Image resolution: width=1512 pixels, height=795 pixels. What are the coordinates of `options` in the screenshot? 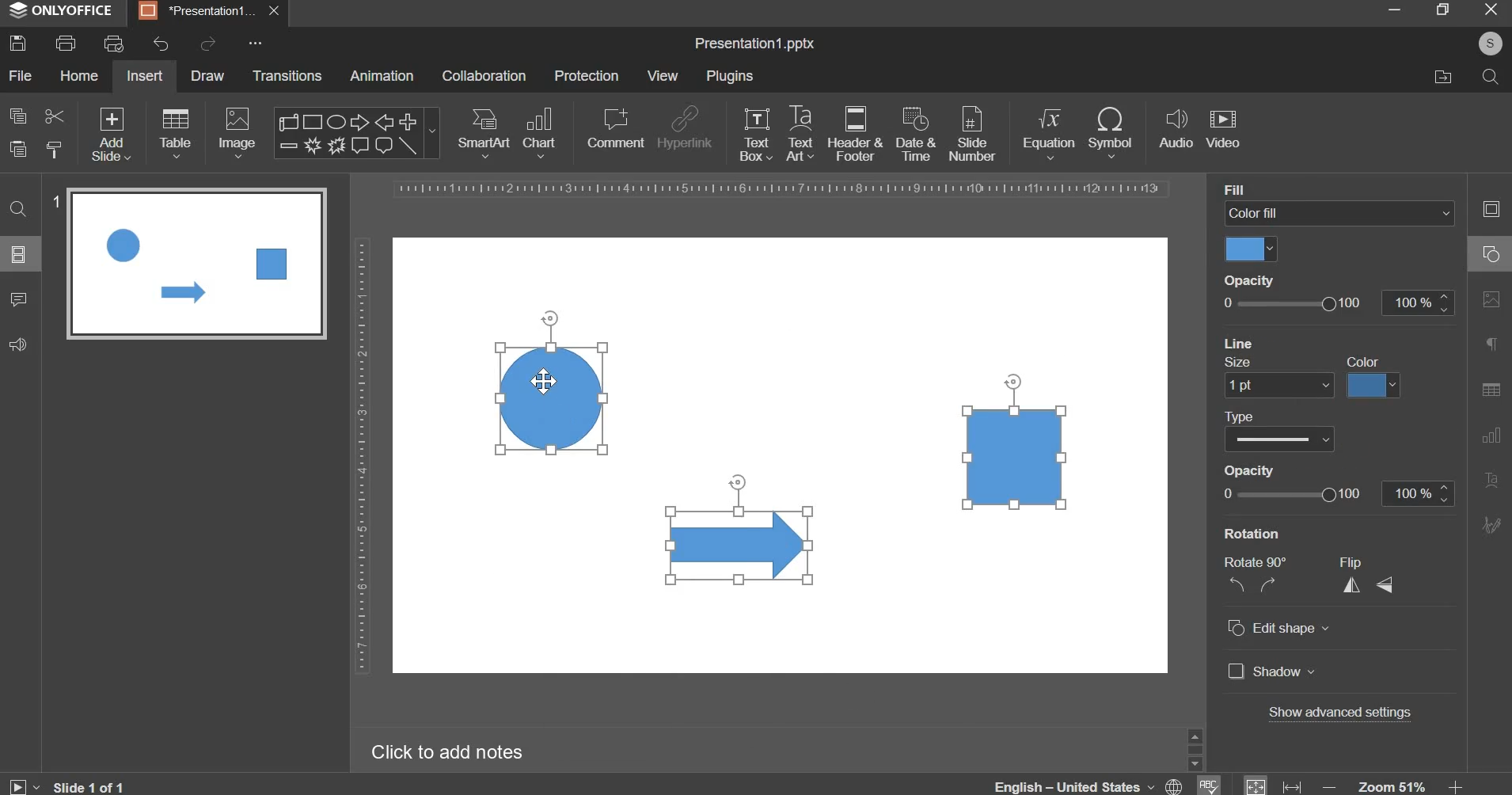 It's located at (256, 39).